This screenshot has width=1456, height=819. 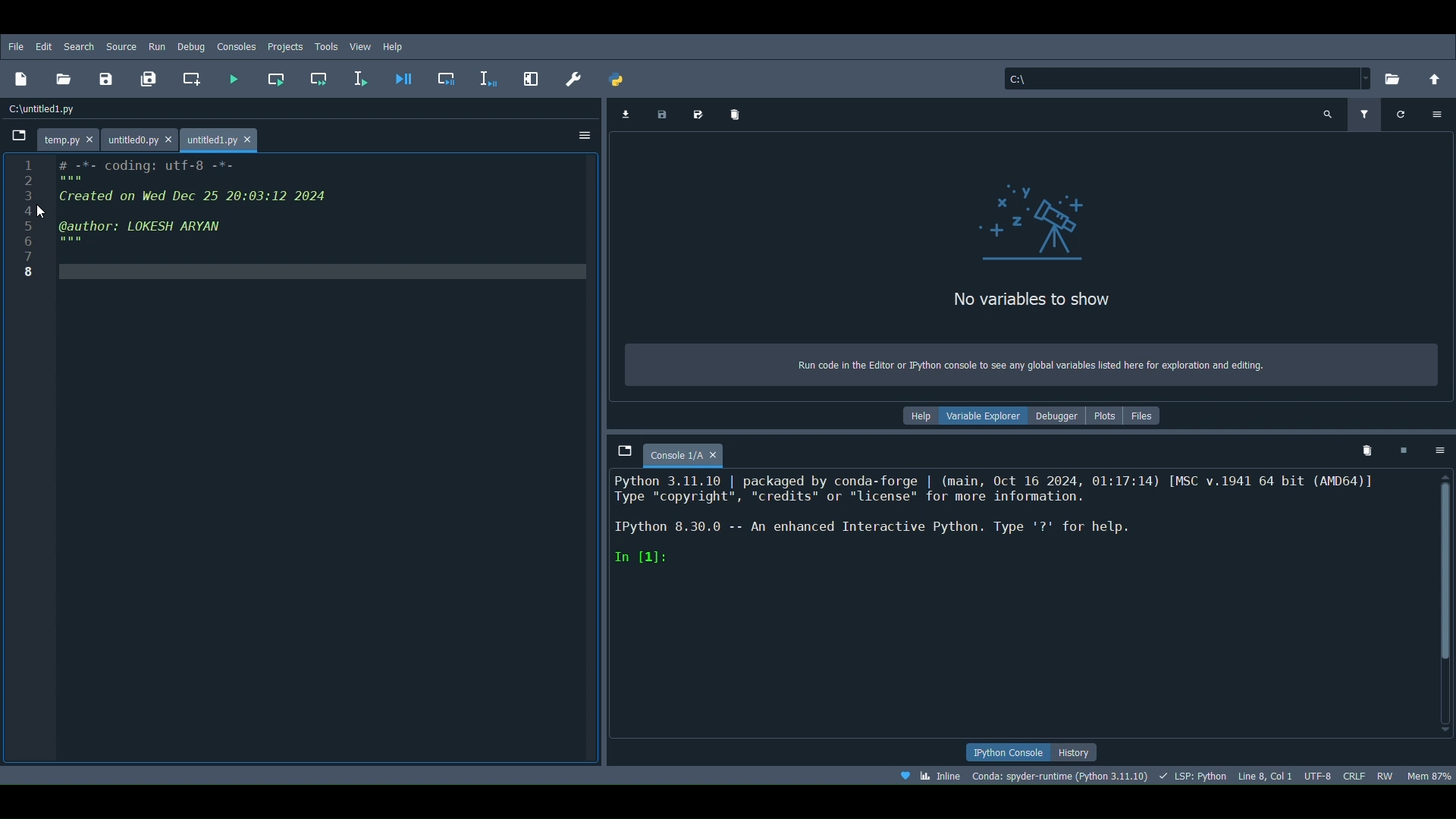 What do you see at coordinates (1397, 76) in the screenshot?
I see `Browse a working directory` at bounding box center [1397, 76].